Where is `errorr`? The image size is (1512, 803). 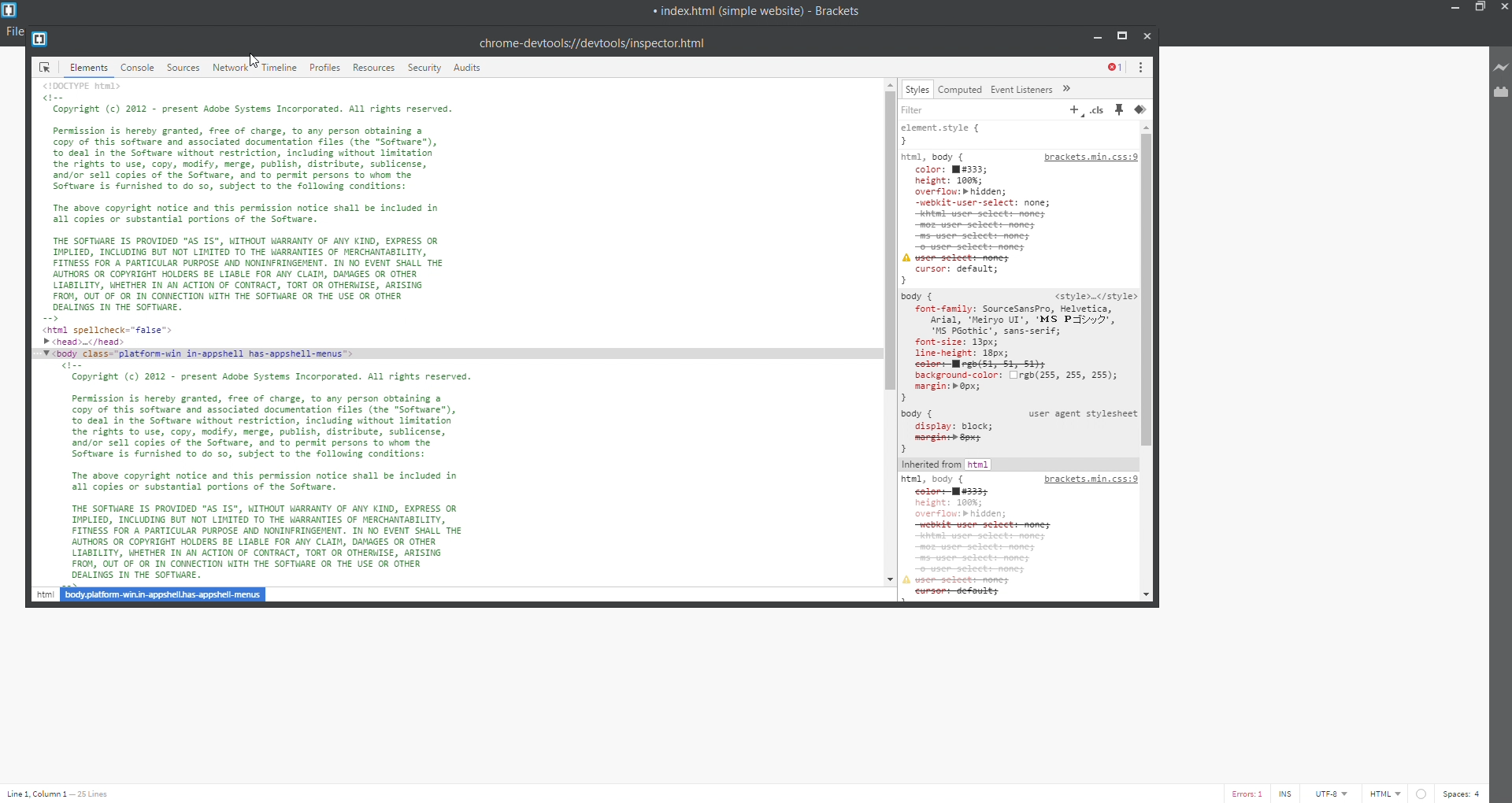
errorr is located at coordinates (1425, 794).